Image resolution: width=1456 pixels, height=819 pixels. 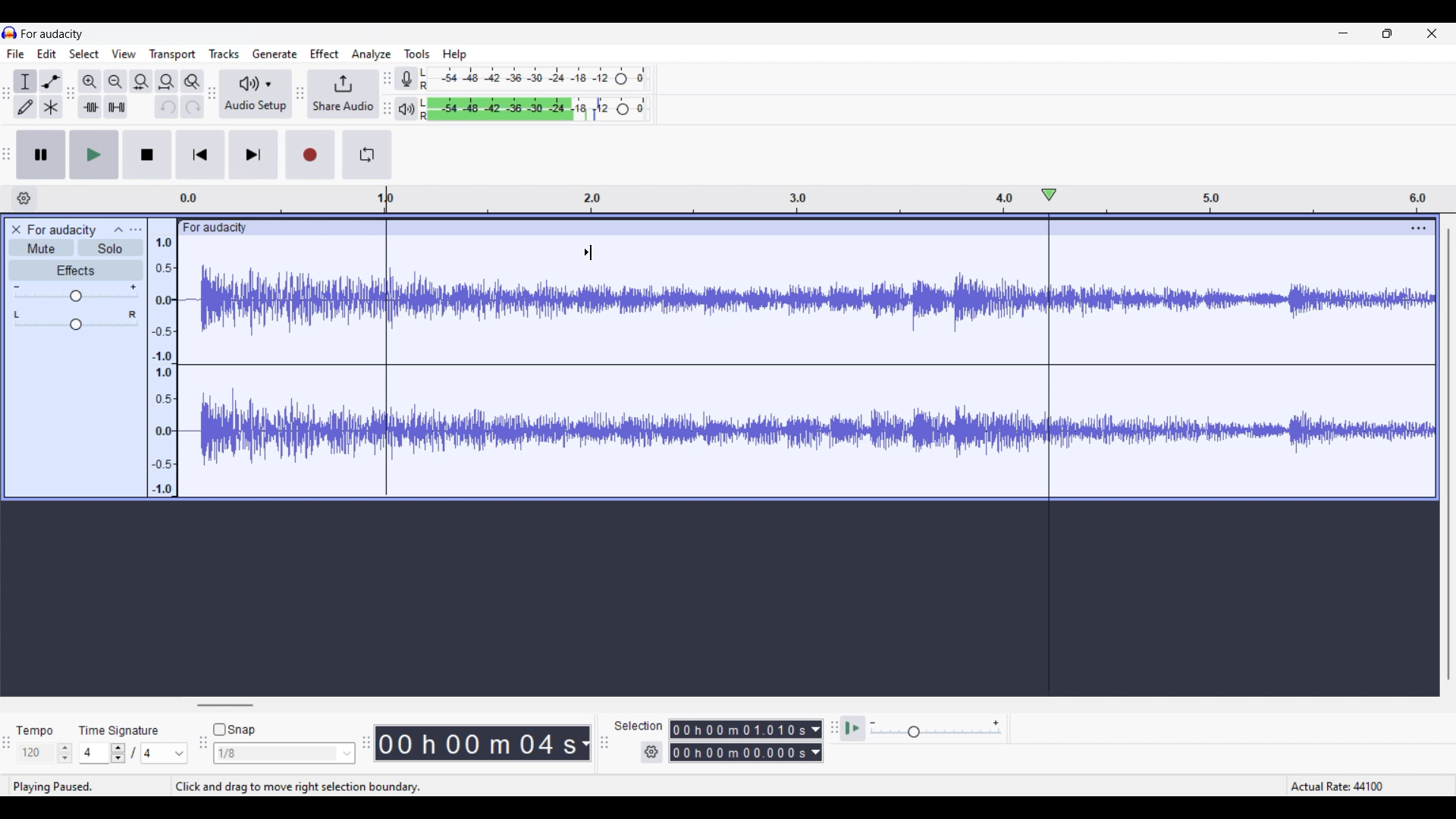 I want to click on Selection start marked by cursor , so click(x=386, y=341).